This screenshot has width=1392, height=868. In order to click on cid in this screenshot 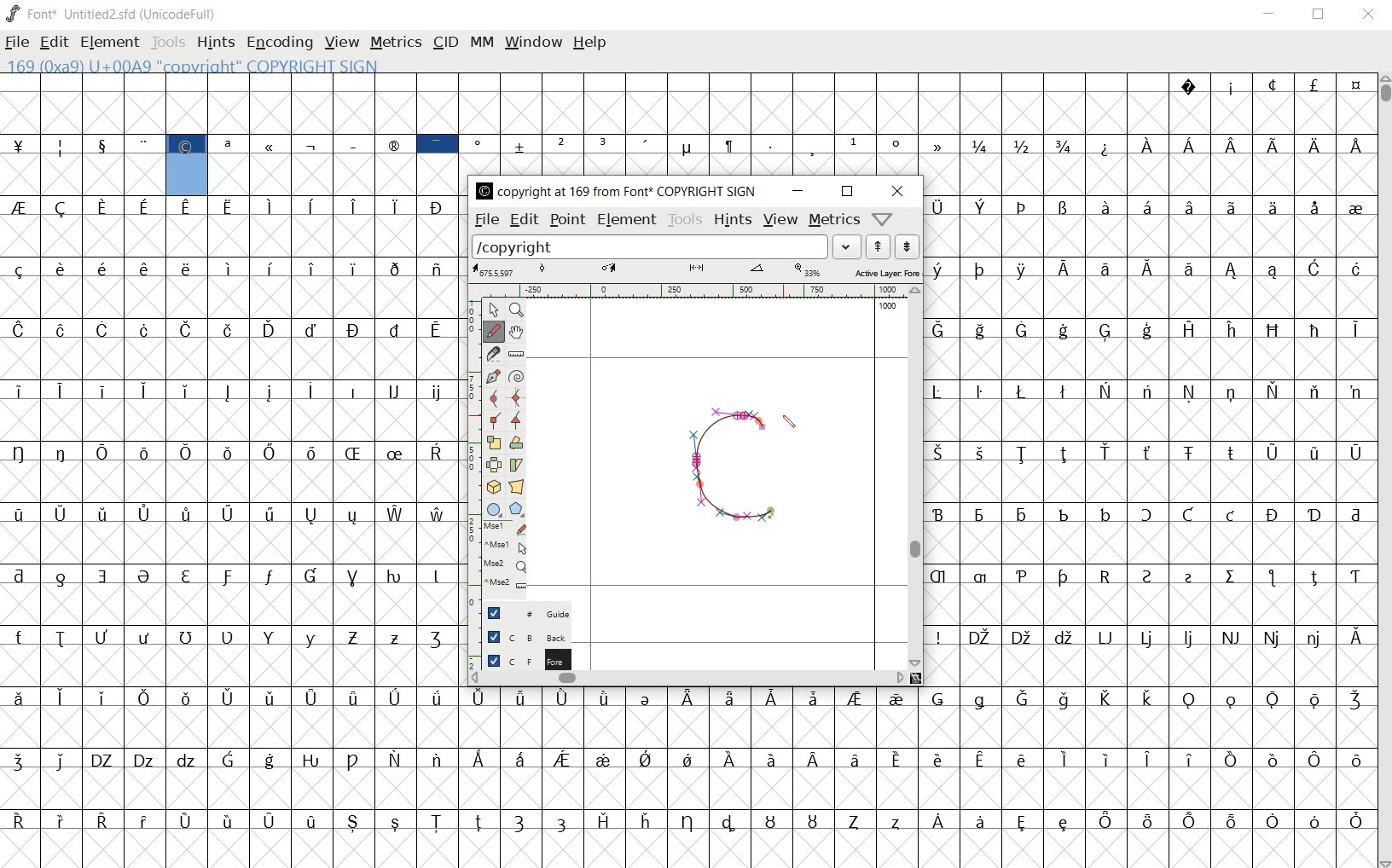, I will do `click(444, 43)`.